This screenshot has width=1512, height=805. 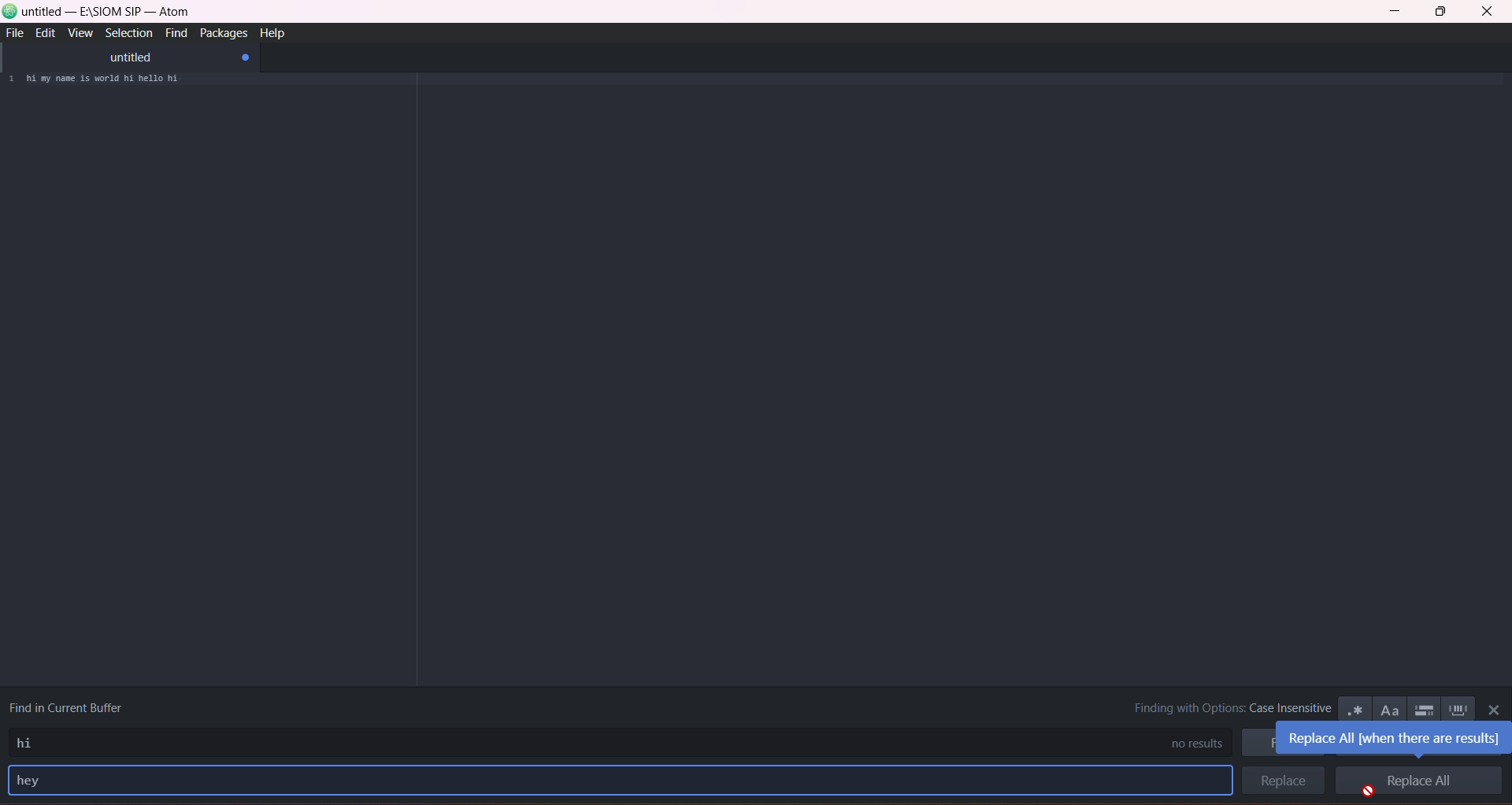 I want to click on close tab, so click(x=246, y=58).